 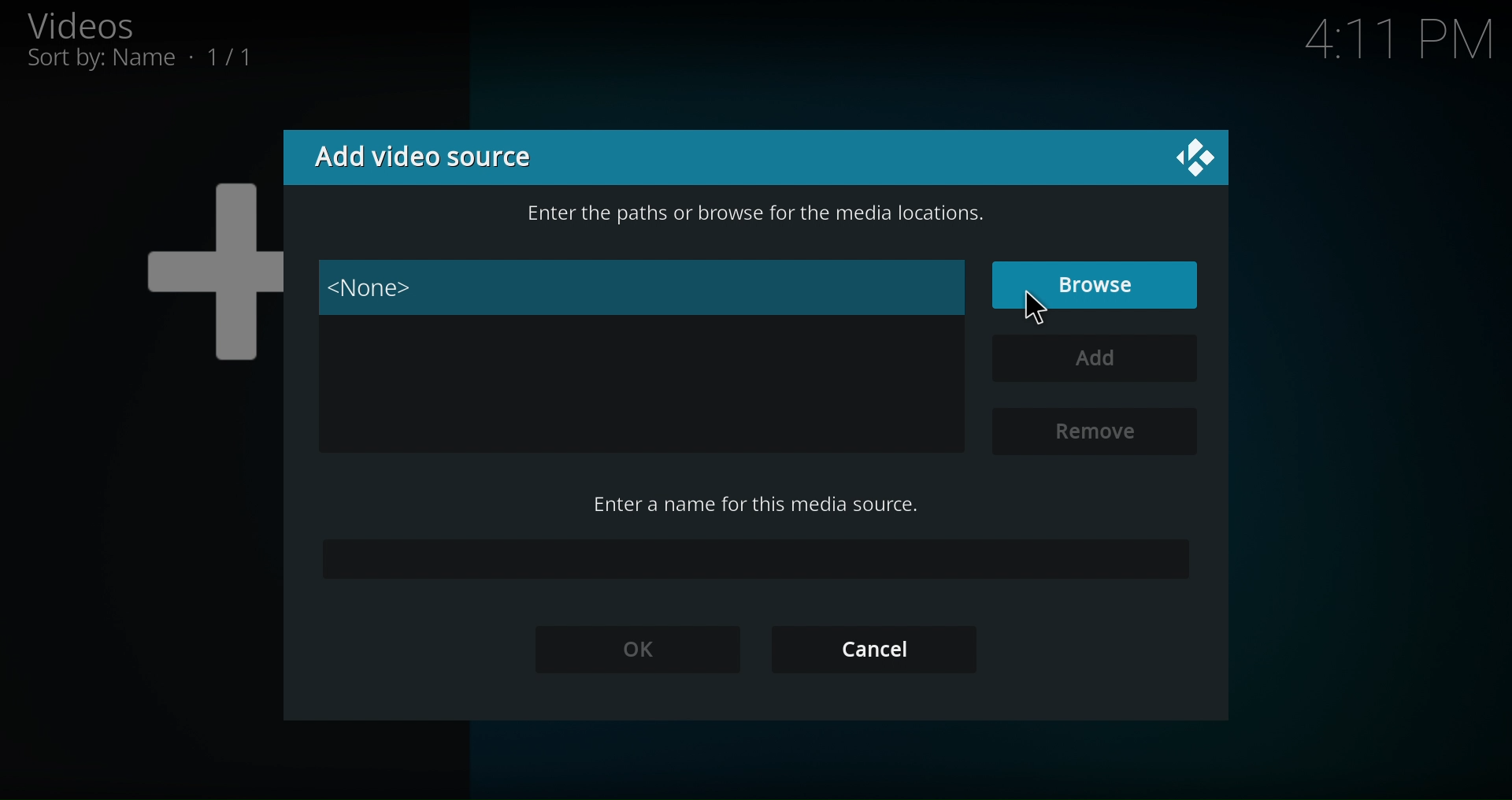 I want to click on Add, so click(x=1093, y=357).